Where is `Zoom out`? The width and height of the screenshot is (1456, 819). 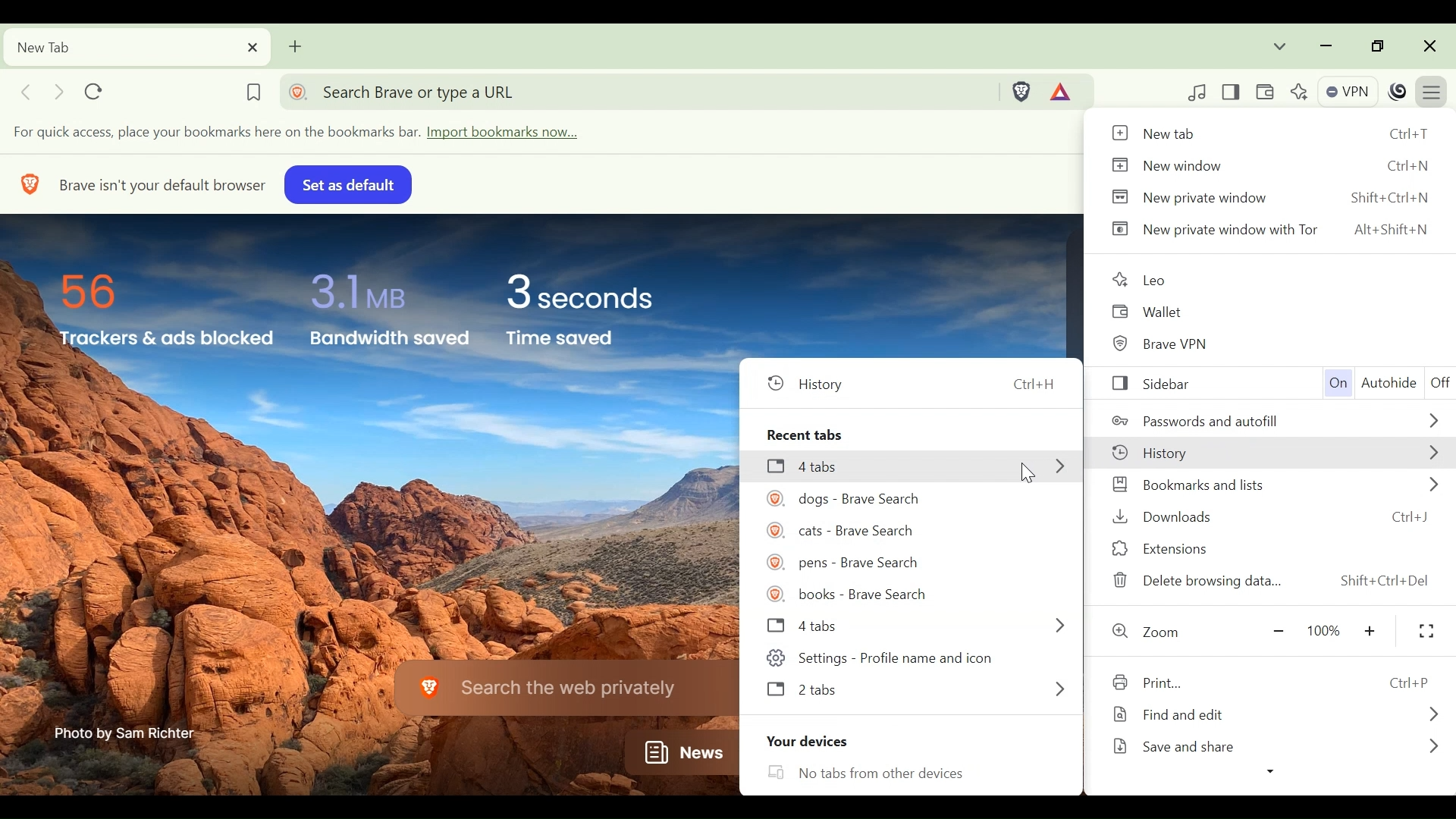 Zoom out is located at coordinates (1277, 633).